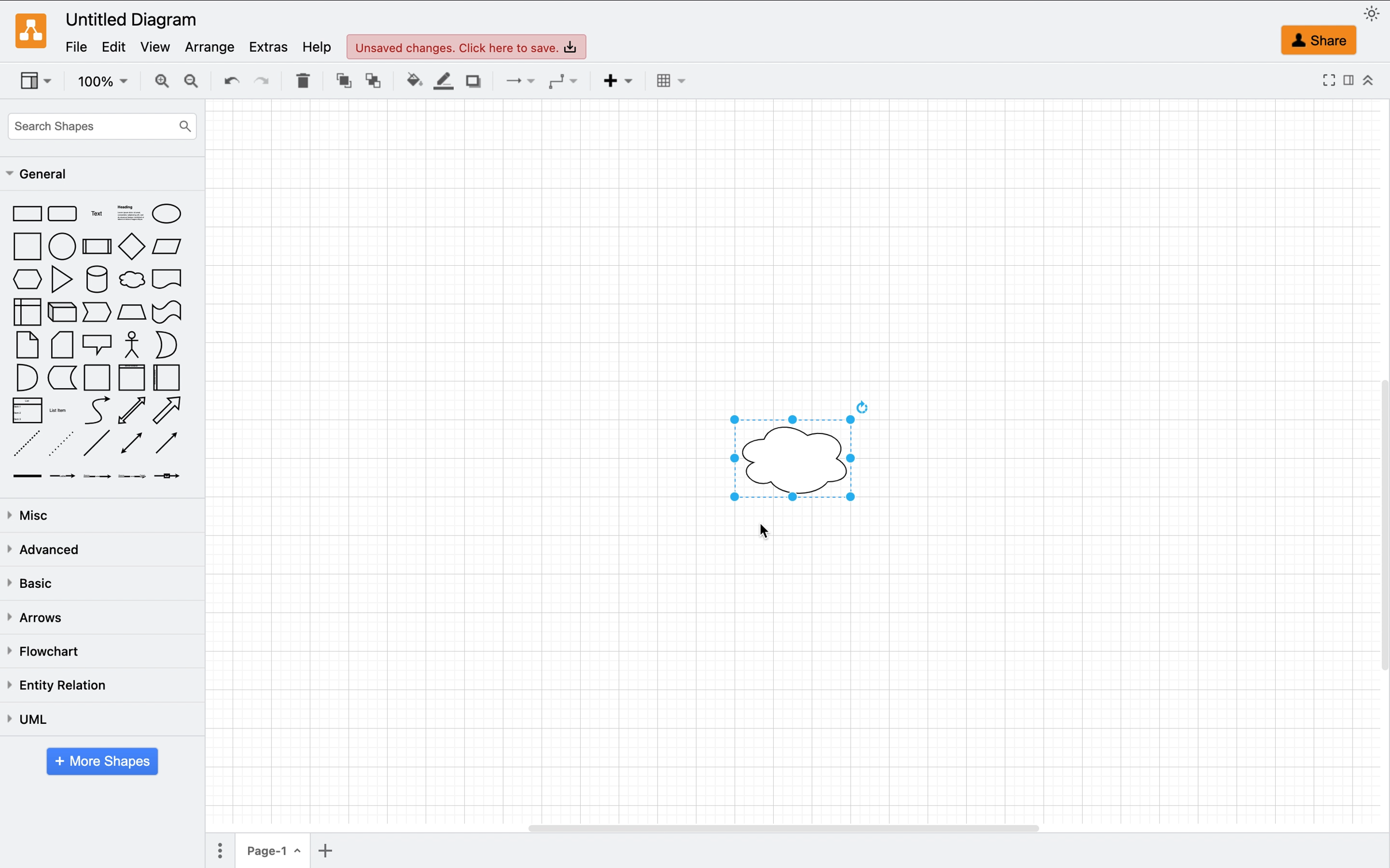 The image size is (1390, 868). What do you see at coordinates (777, 828) in the screenshot?
I see `horizontal page scroll bar` at bounding box center [777, 828].